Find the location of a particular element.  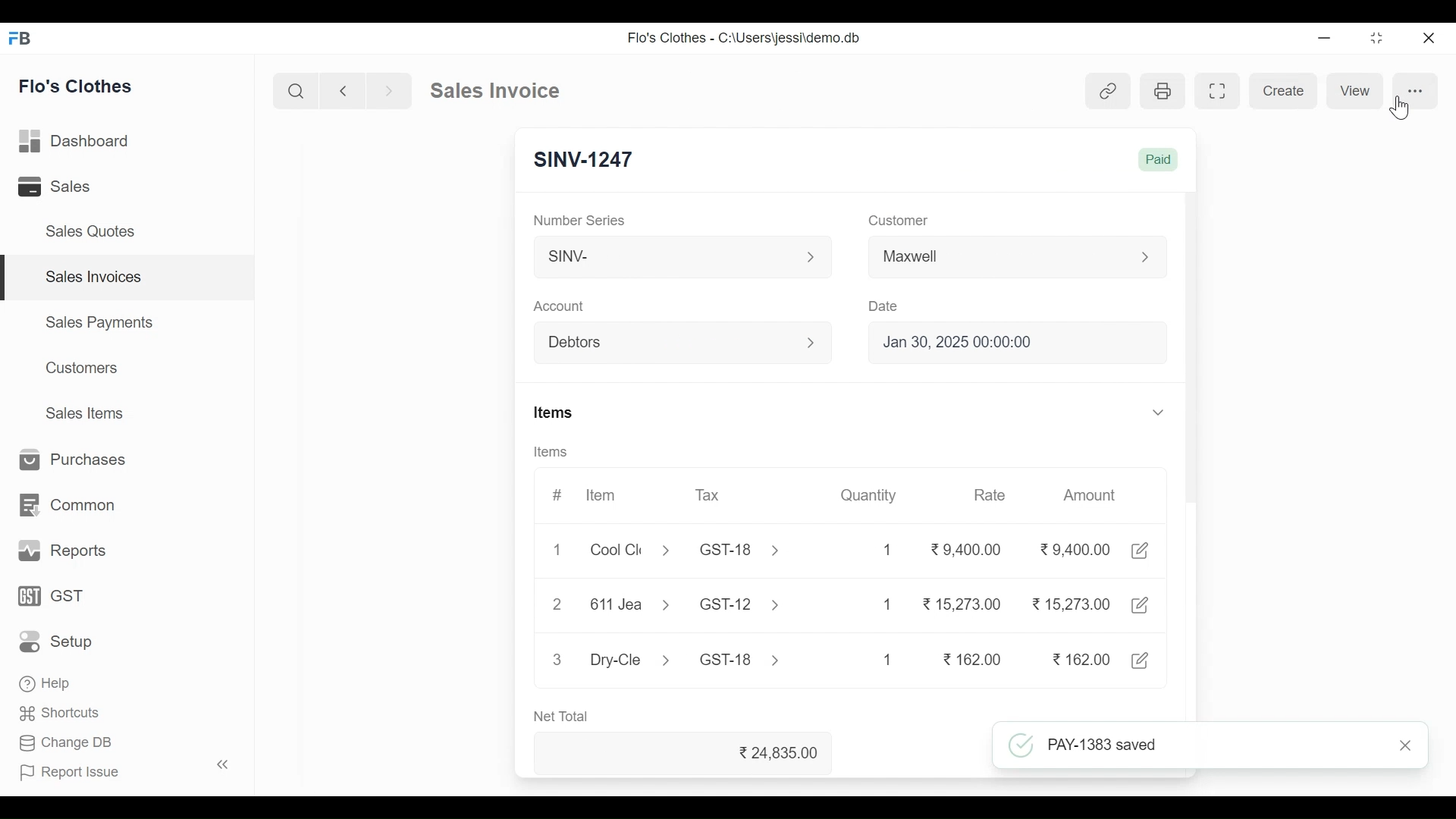

Go Back is located at coordinates (343, 91).